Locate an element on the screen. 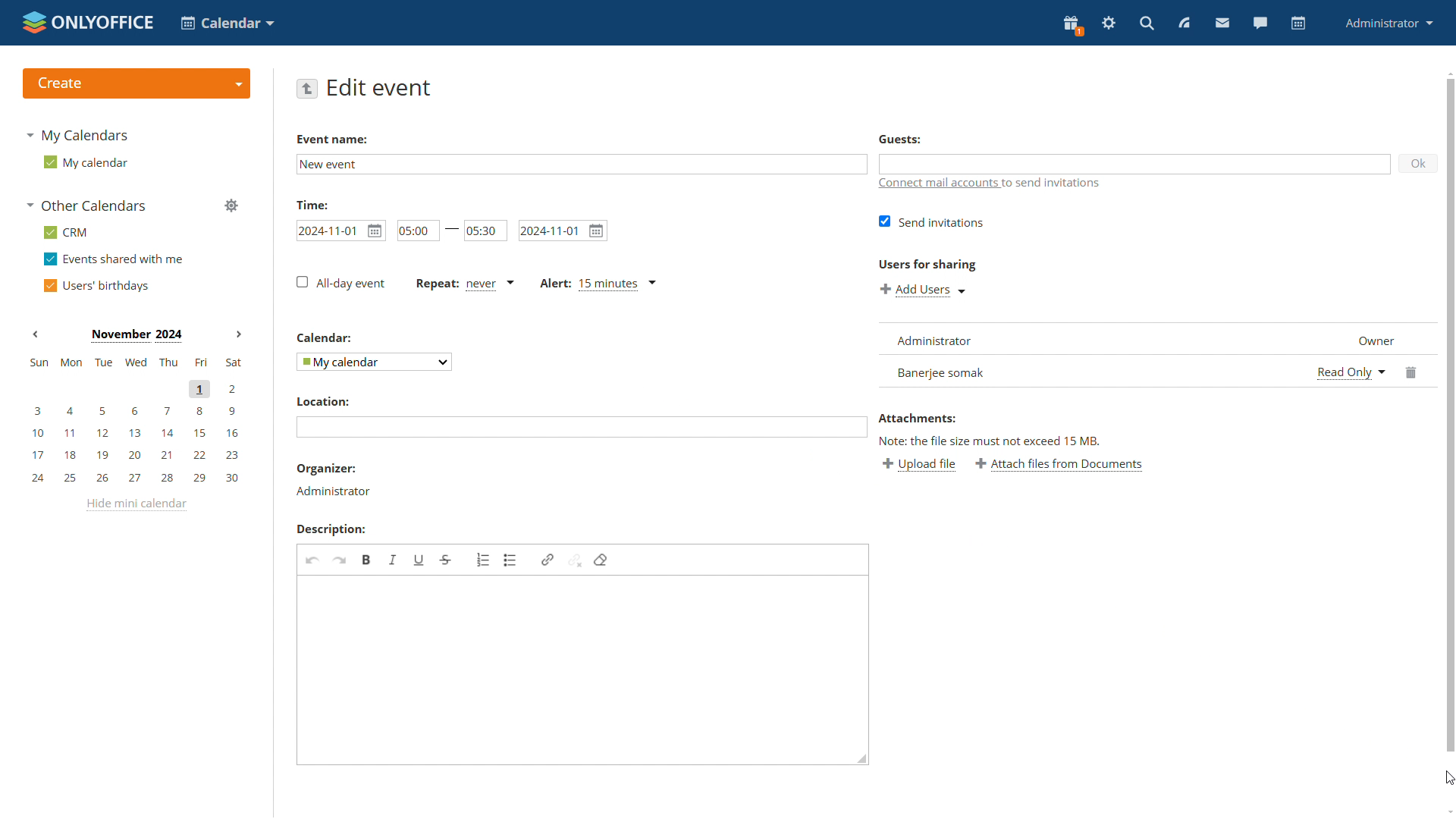 The height and width of the screenshot is (819, 1456). other calendars is located at coordinates (86, 206).